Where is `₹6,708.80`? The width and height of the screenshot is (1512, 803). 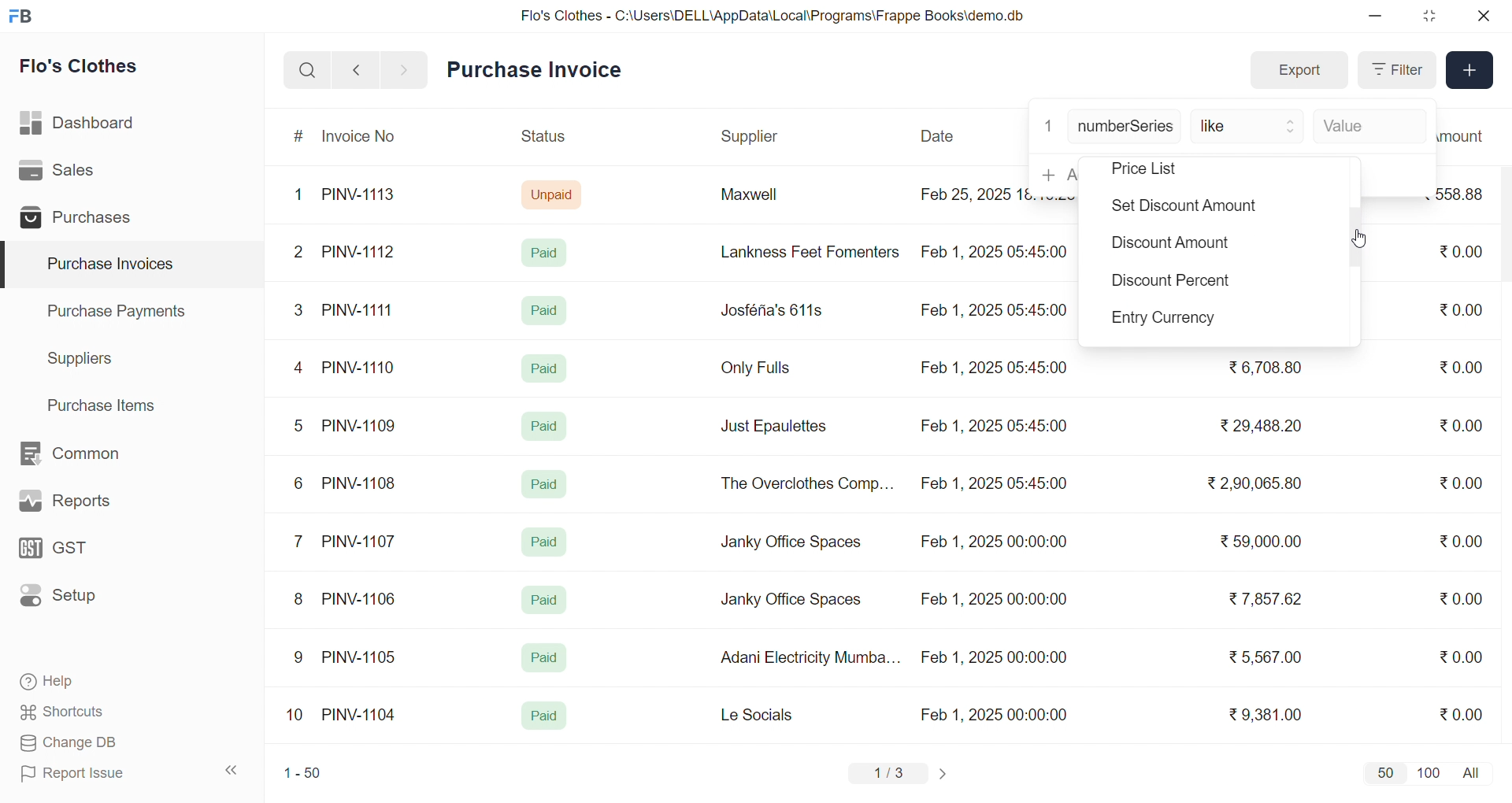
₹6,708.80 is located at coordinates (1265, 364).